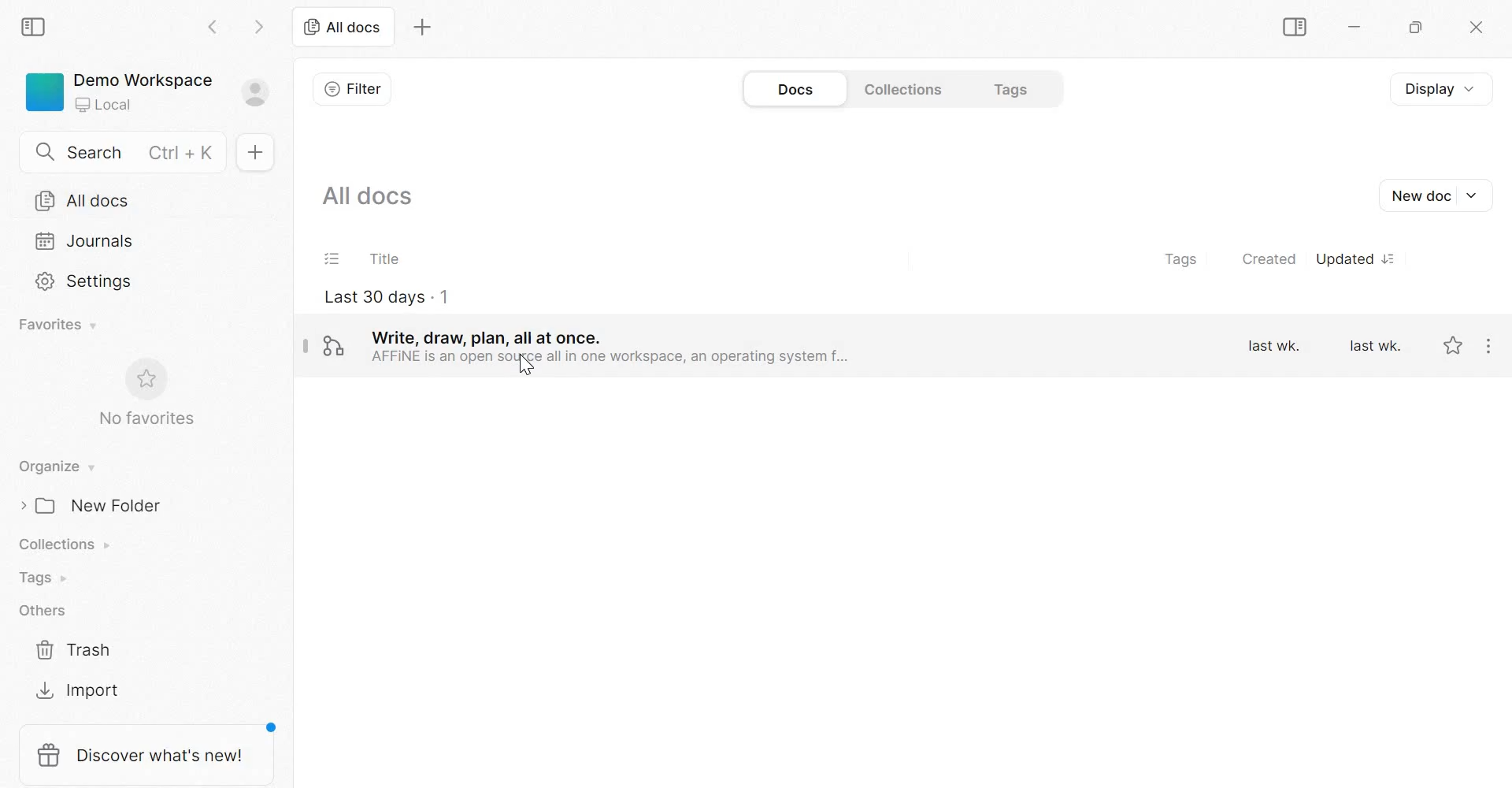 The height and width of the screenshot is (788, 1512). What do you see at coordinates (1181, 259) in the screenshot?
I see `Tags` at bounding box center [1181, 259].